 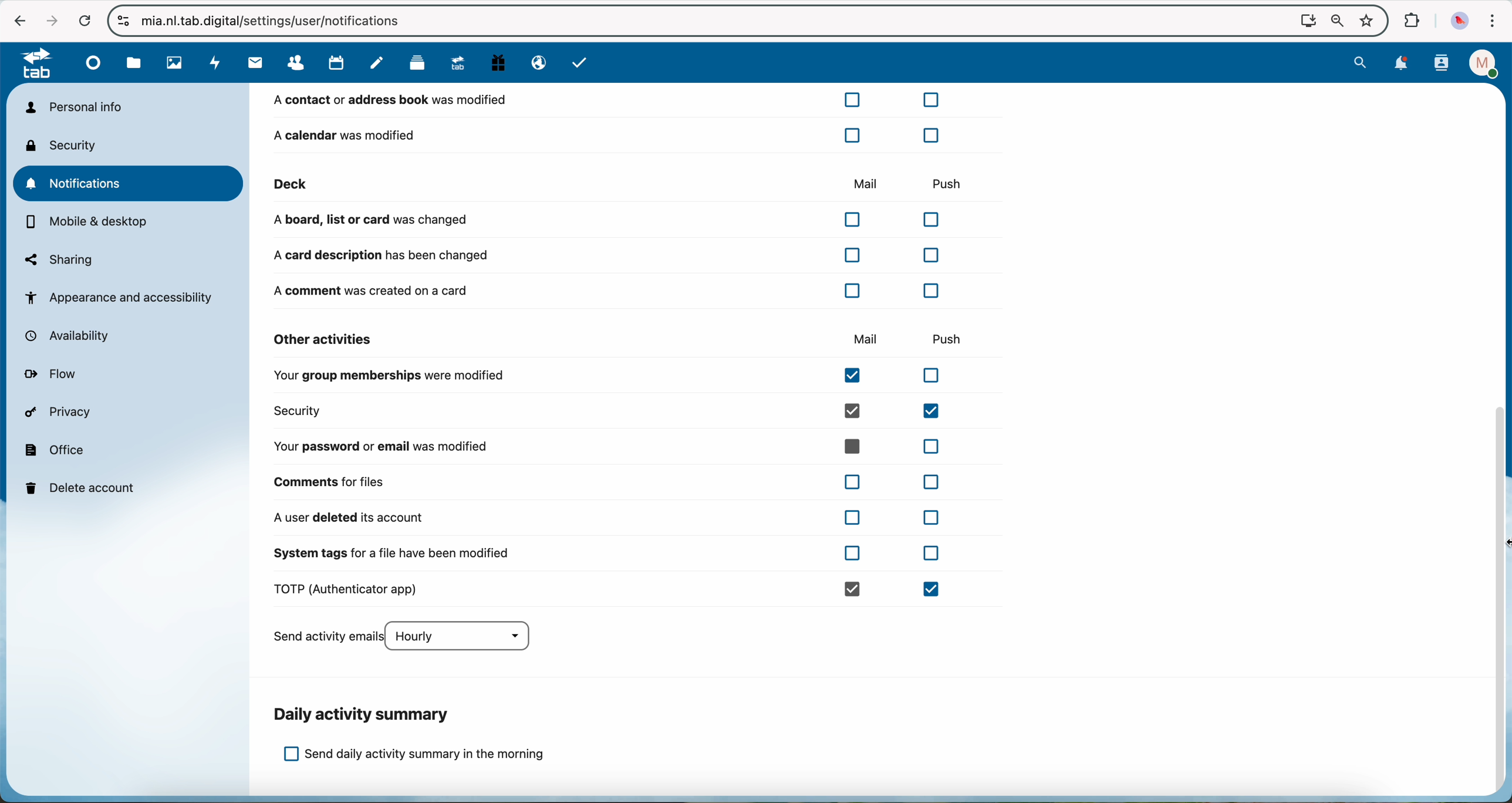 I want to click on url, so click(x=283, y=21).